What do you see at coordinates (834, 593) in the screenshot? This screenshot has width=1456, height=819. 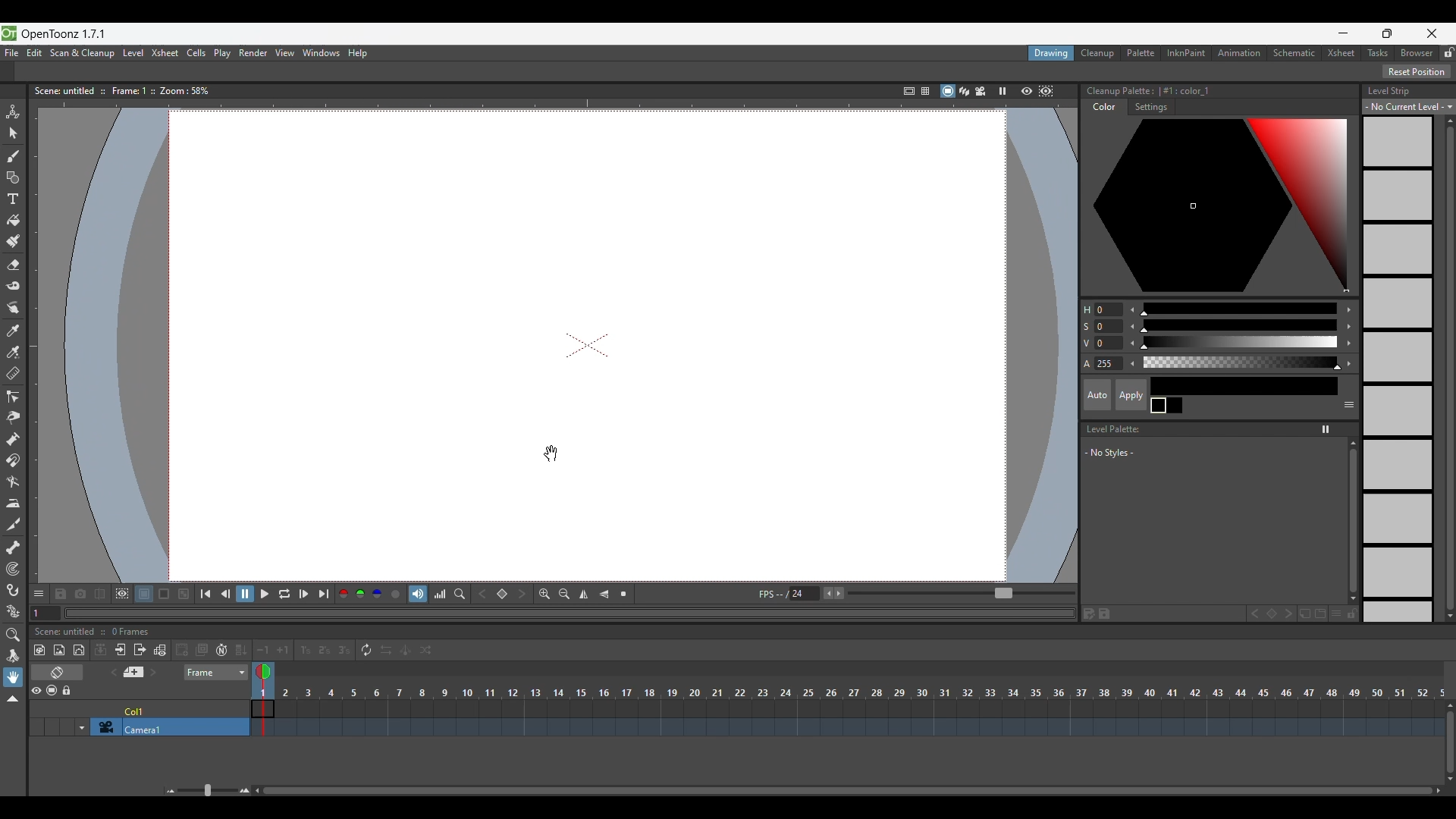 I see `Buttons to increase/decrease frames per second` at bounding box center [834, 593].